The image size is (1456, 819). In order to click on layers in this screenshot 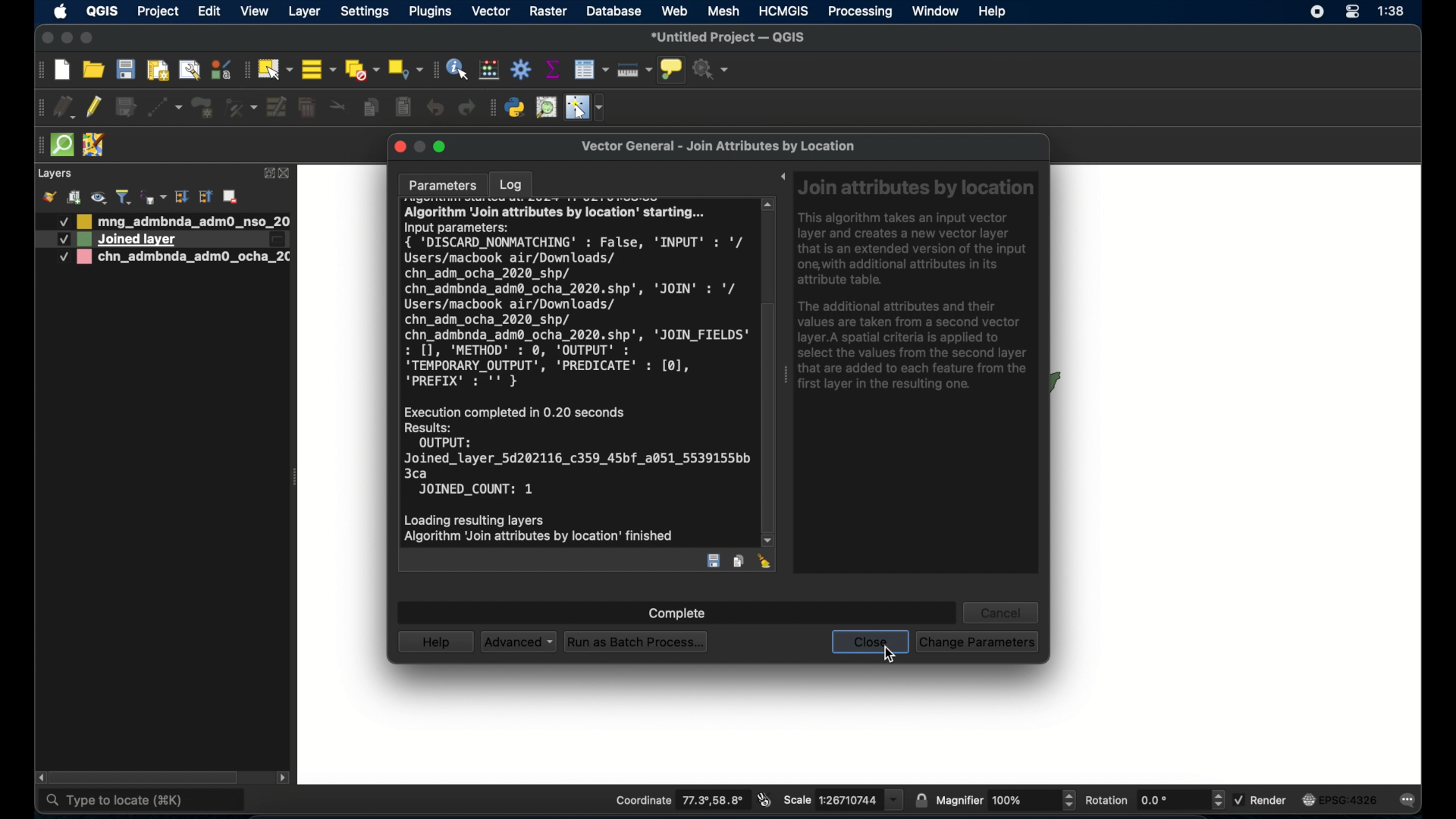, I will do `click(54, 174)`.